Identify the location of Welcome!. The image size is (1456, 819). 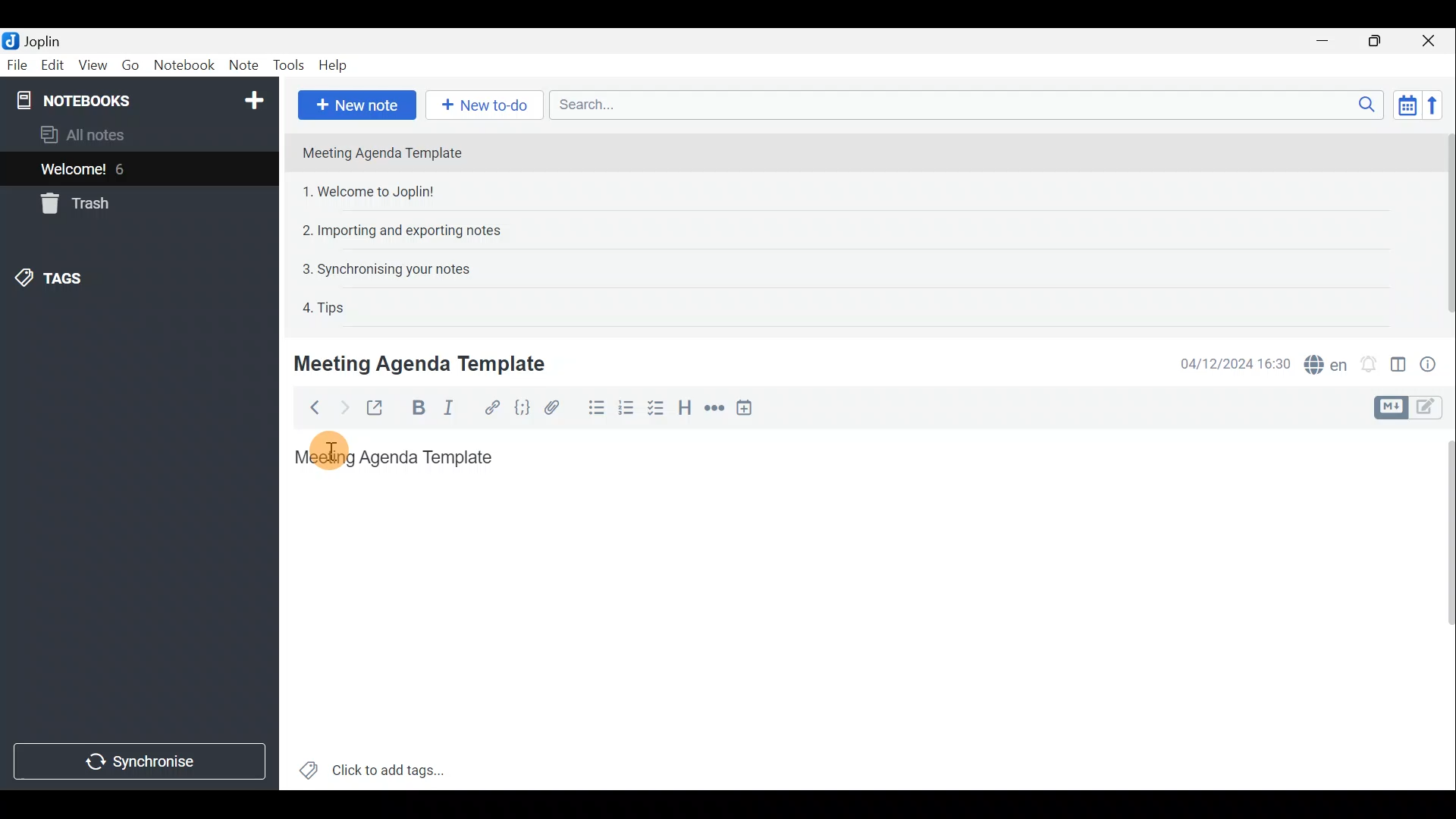
(74, 171).